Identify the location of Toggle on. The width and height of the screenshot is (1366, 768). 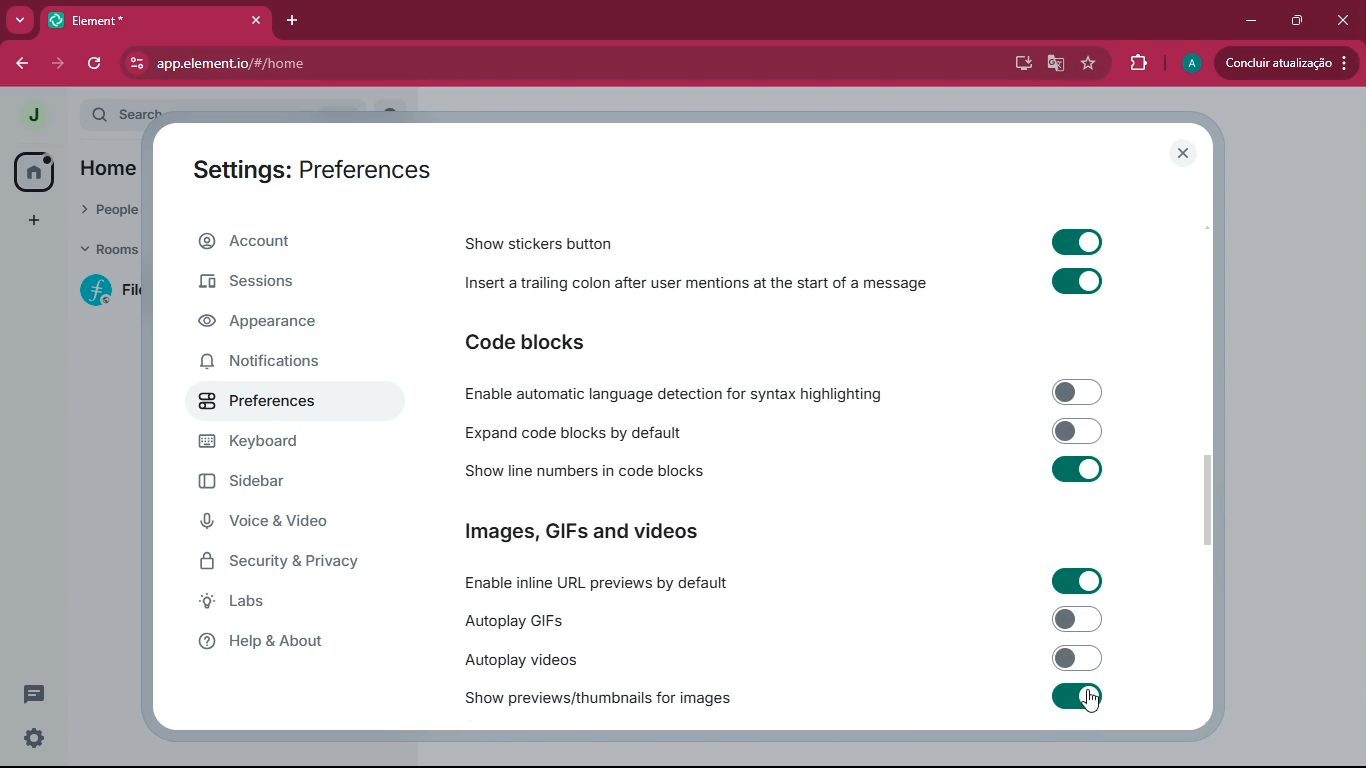
(1074, 579).